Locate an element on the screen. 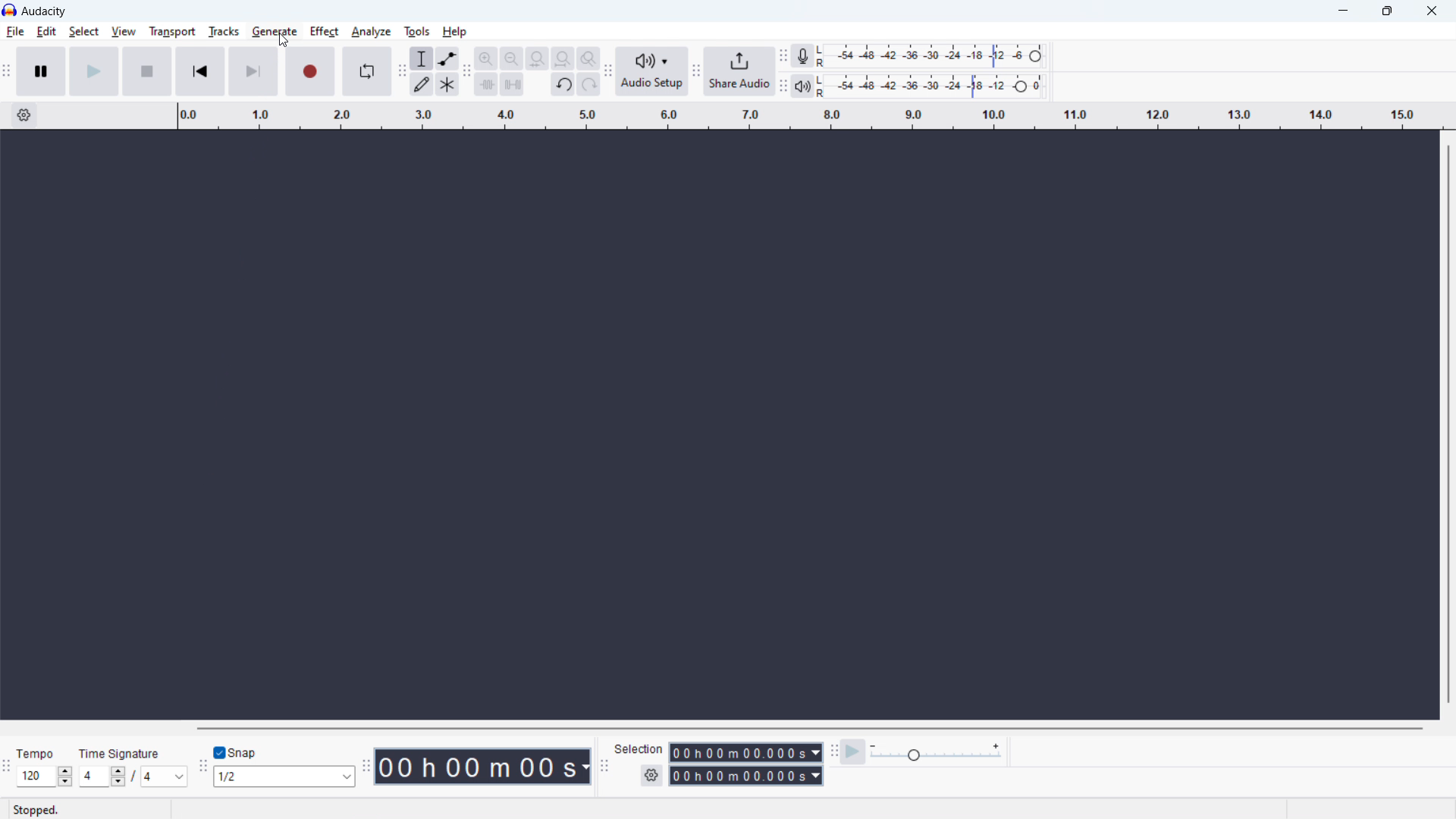 This screenshot has width=1456, height=819. tracks is located at coordinates (223, 32).